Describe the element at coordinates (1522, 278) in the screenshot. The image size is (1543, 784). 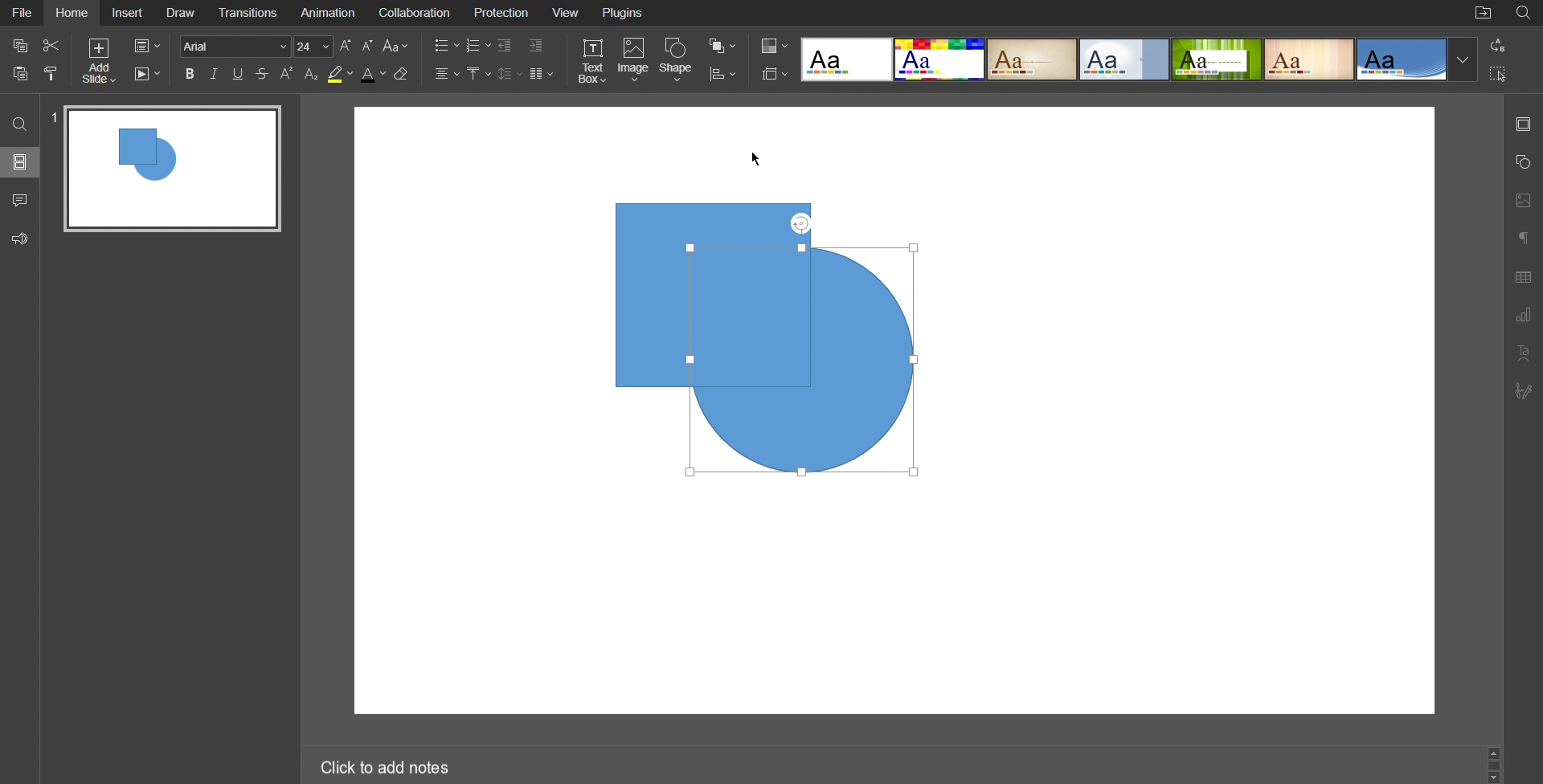
I see `Table Settings` at that location.